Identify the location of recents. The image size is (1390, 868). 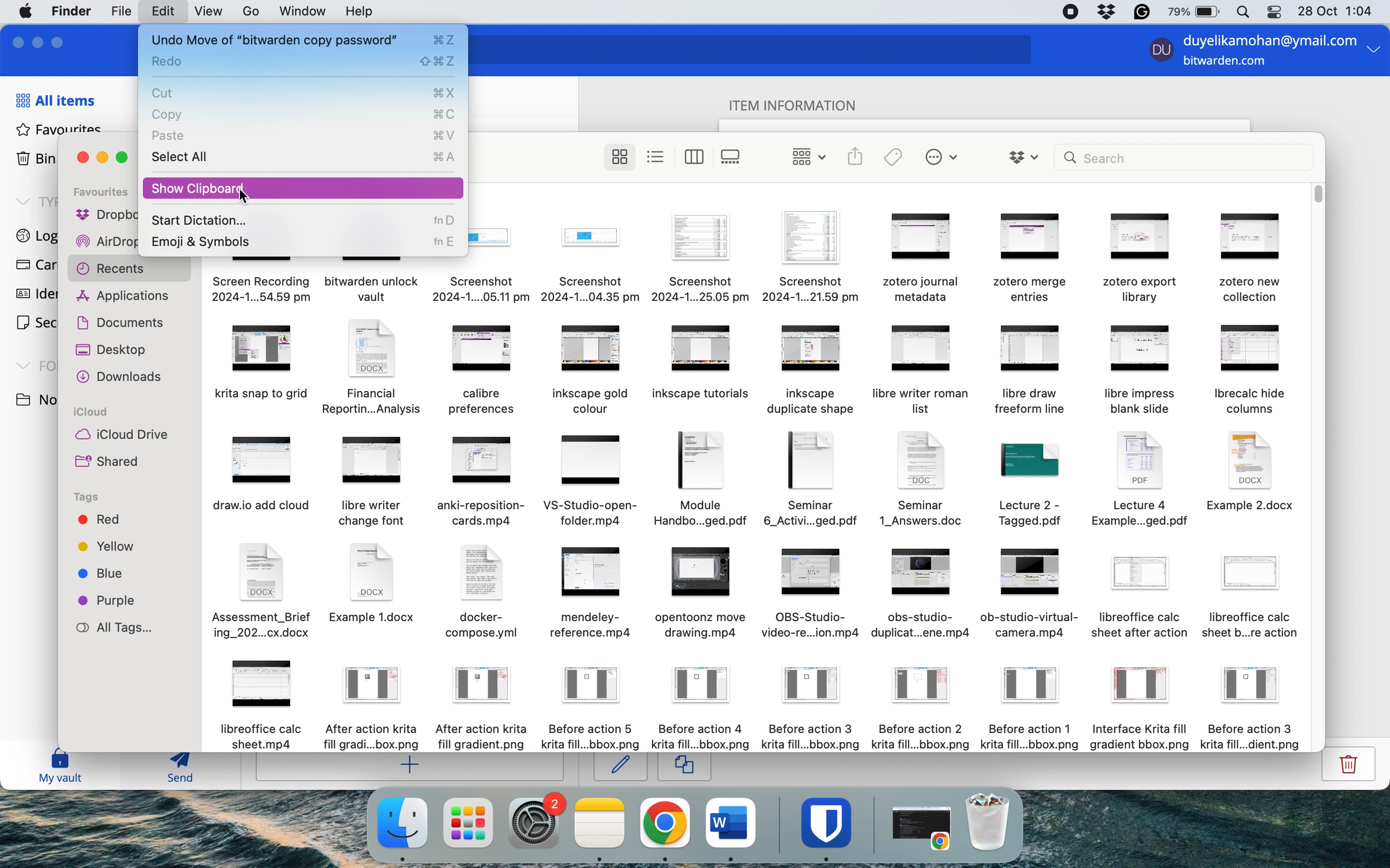
(130, 272).